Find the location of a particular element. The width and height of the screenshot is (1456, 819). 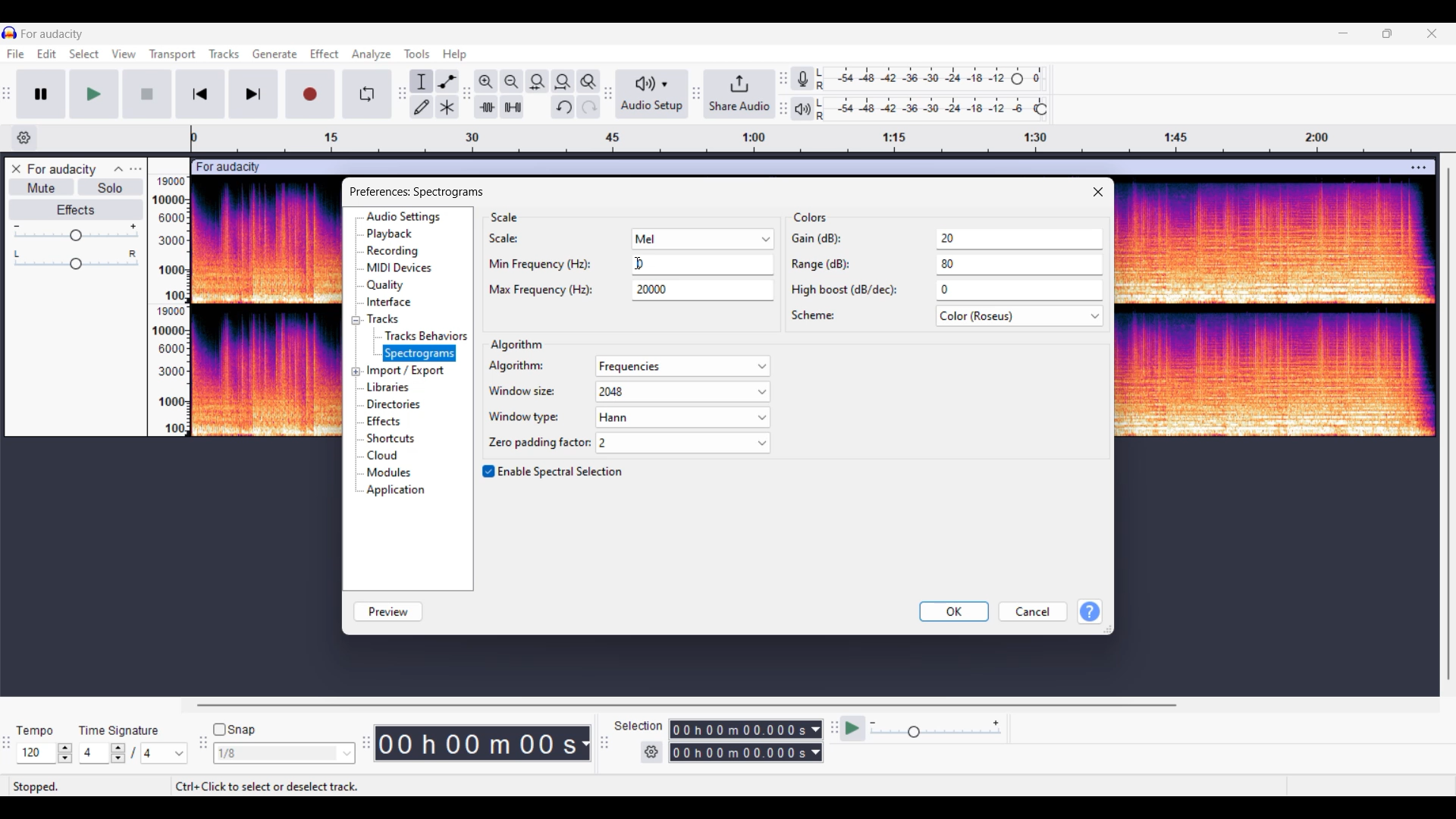

audio settings is located at coordinates (409, 218).